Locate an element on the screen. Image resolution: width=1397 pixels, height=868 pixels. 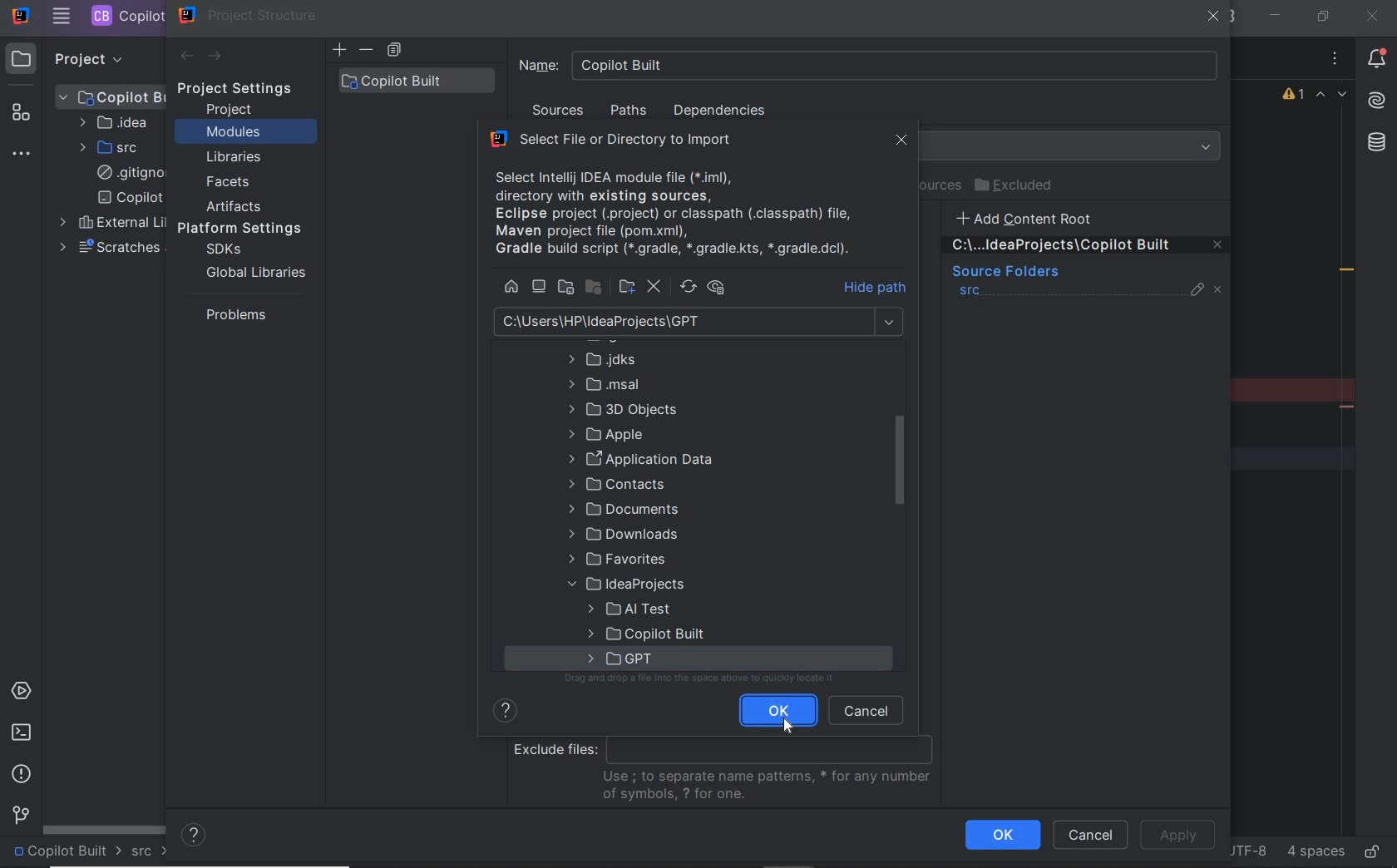
platform settings is located at coordinates (245, 229).